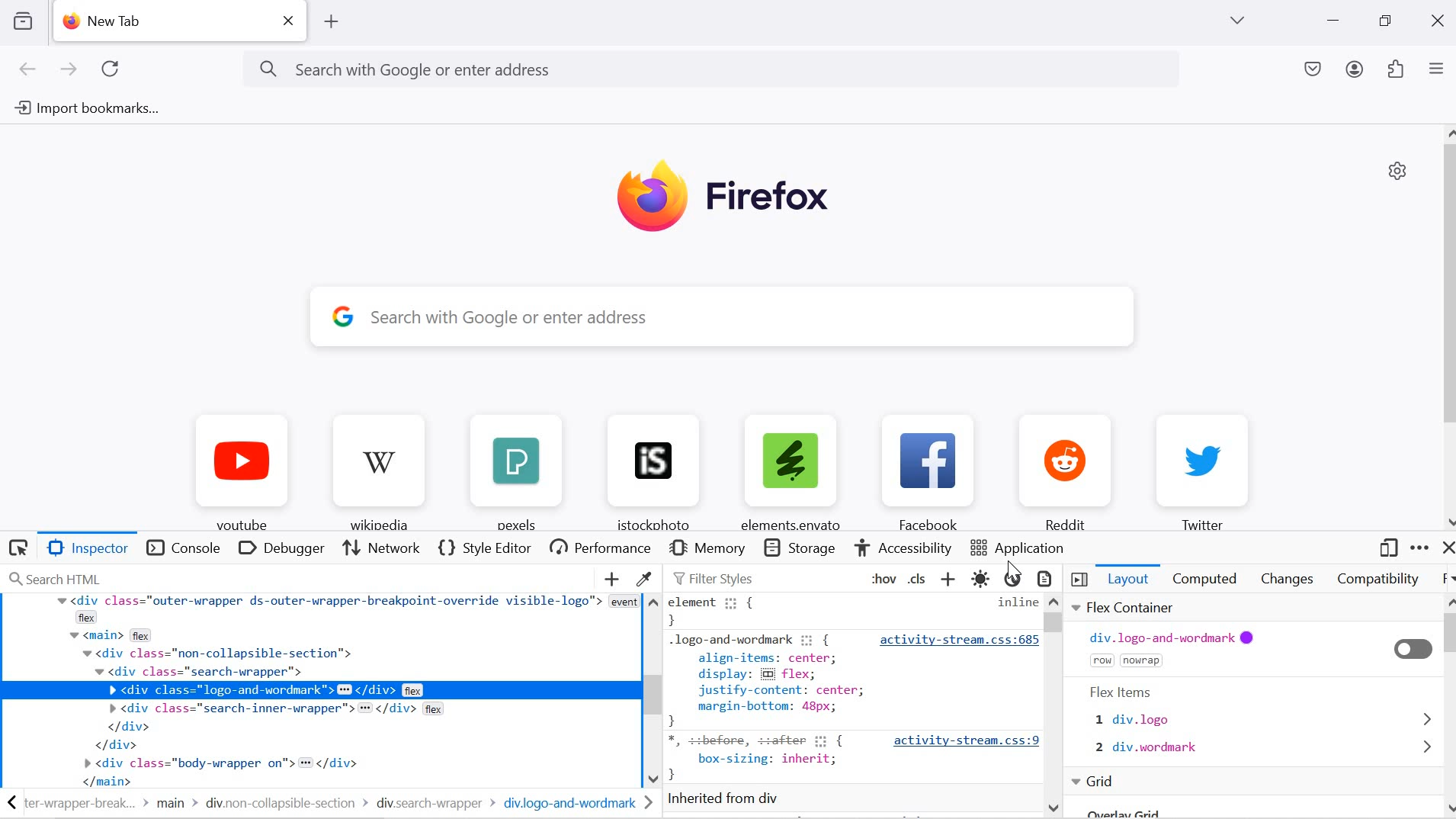 The image size is (1456, 819). Describe the element at coordinates (1199, 464) in the screenshot. I see `Twitter` at that location.